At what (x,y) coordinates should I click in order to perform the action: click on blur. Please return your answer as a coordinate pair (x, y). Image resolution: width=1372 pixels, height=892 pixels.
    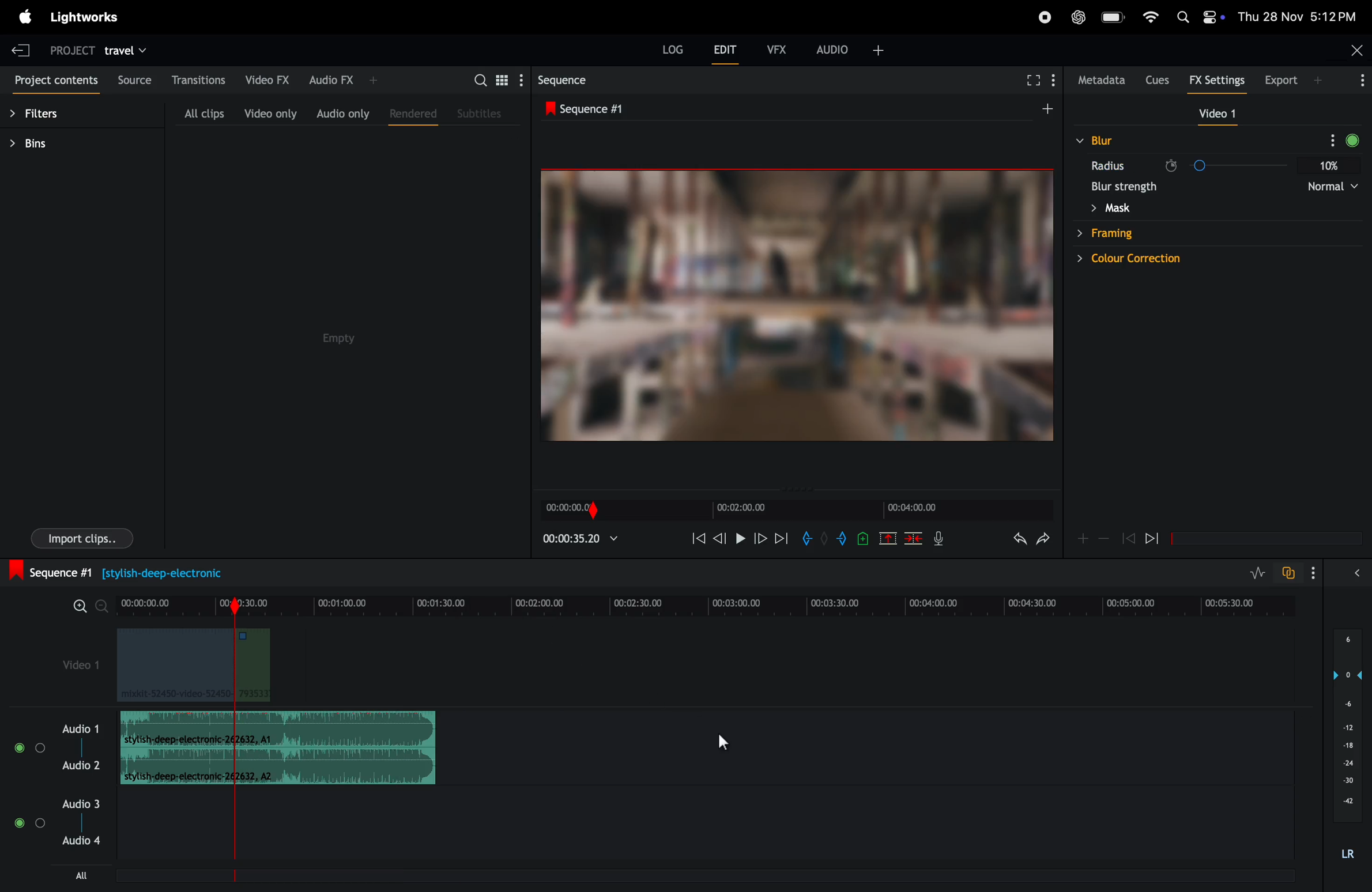
    Looking at the image, I should click on (1099, 139).